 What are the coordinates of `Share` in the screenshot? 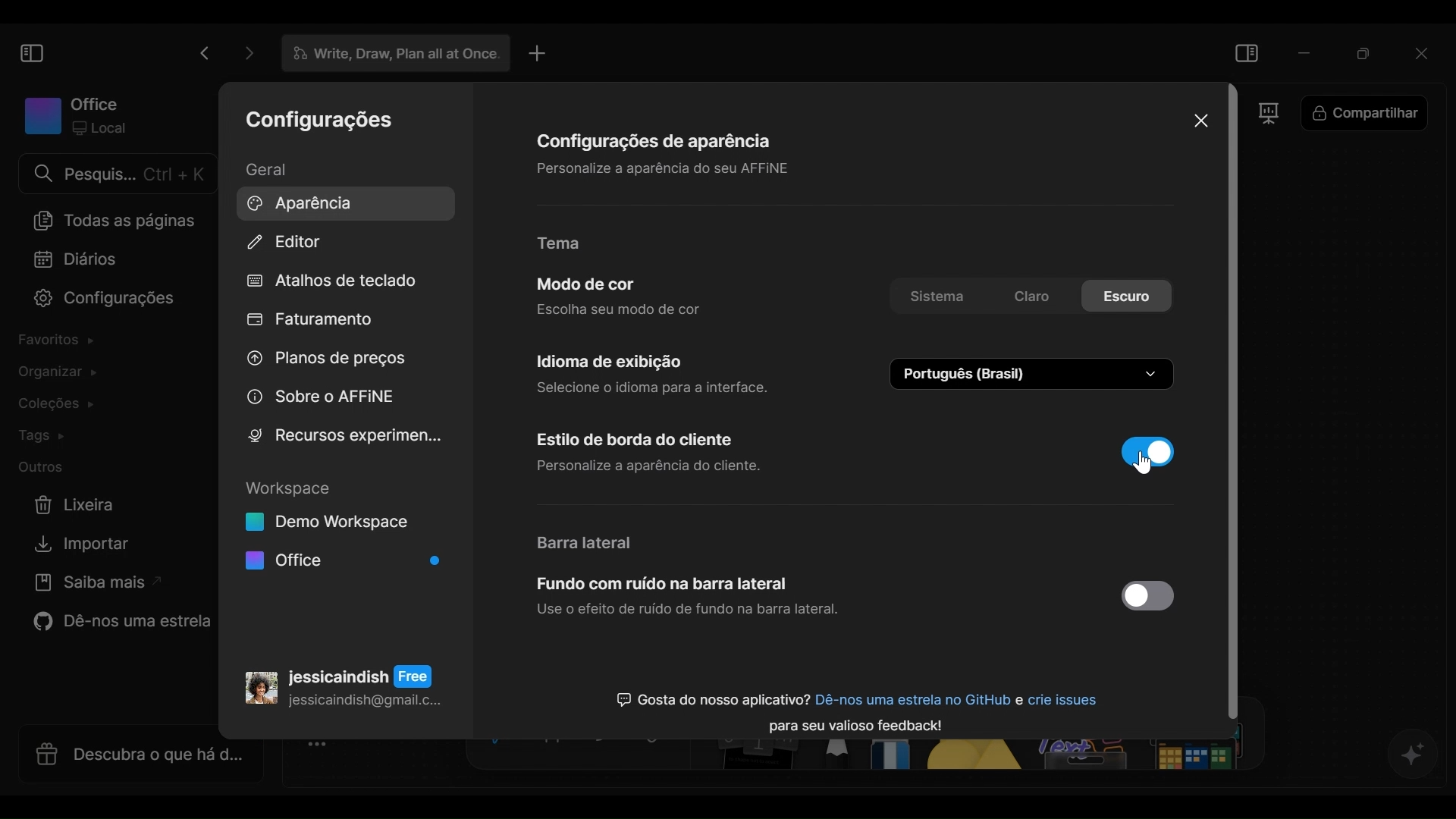 It's located at (1375, 115).